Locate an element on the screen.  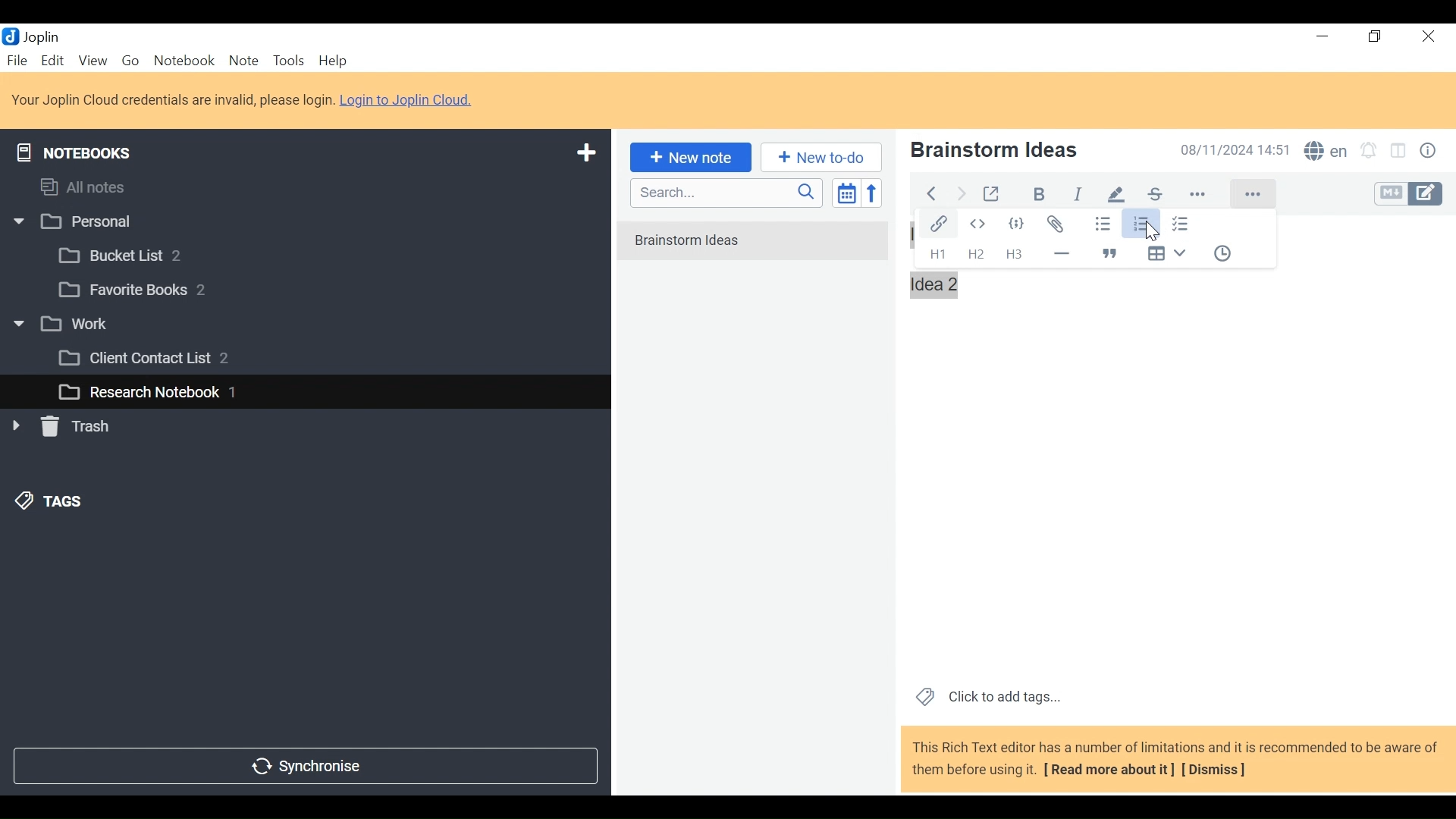
Toggle sort order field is located at coordinates (845, 192).